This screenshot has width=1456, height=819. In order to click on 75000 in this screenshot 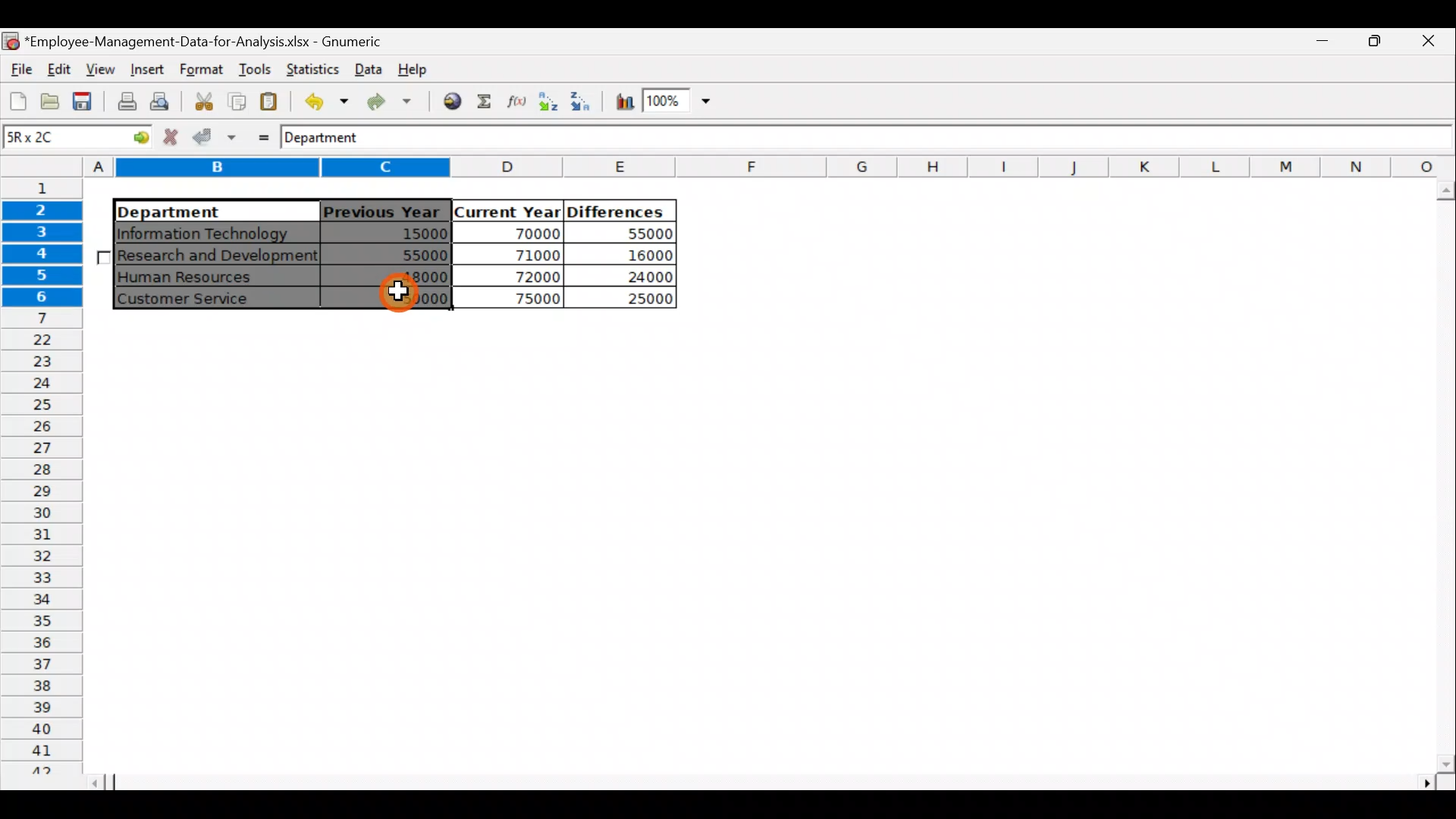, I will do `click(517, 300)`.